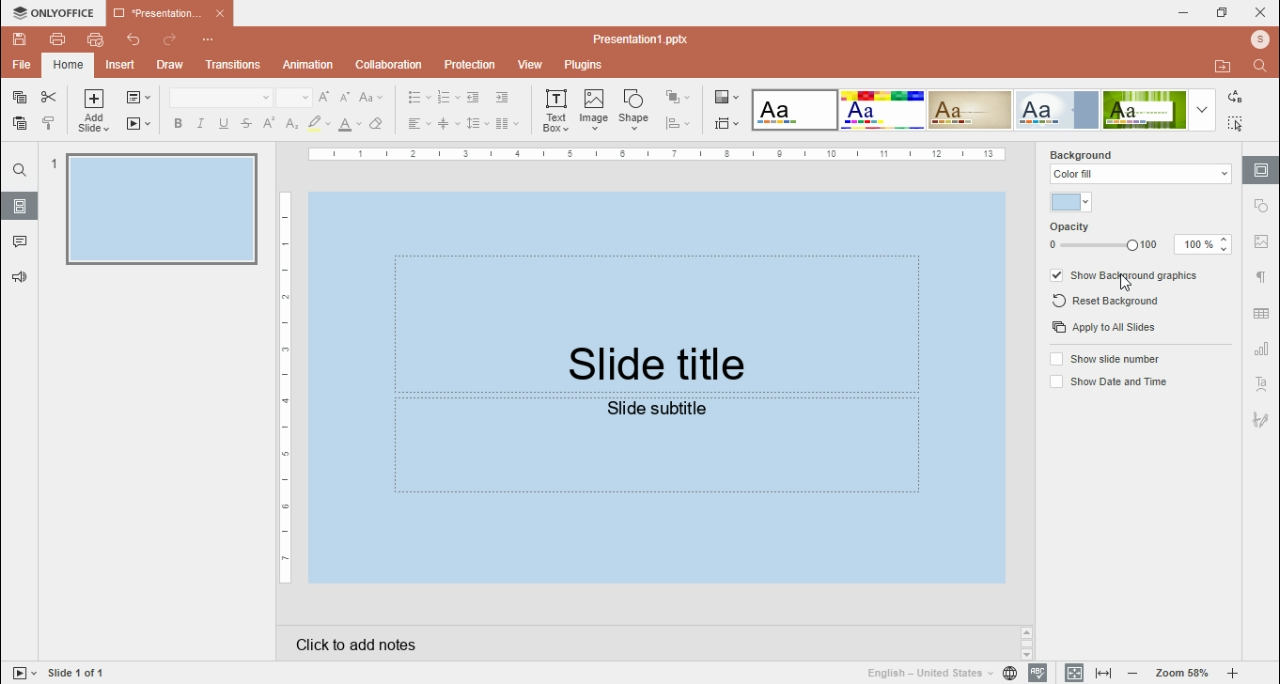 This screenshot has width=1280, height=684. I want to click on mouse pointer, so click(1125, 283).